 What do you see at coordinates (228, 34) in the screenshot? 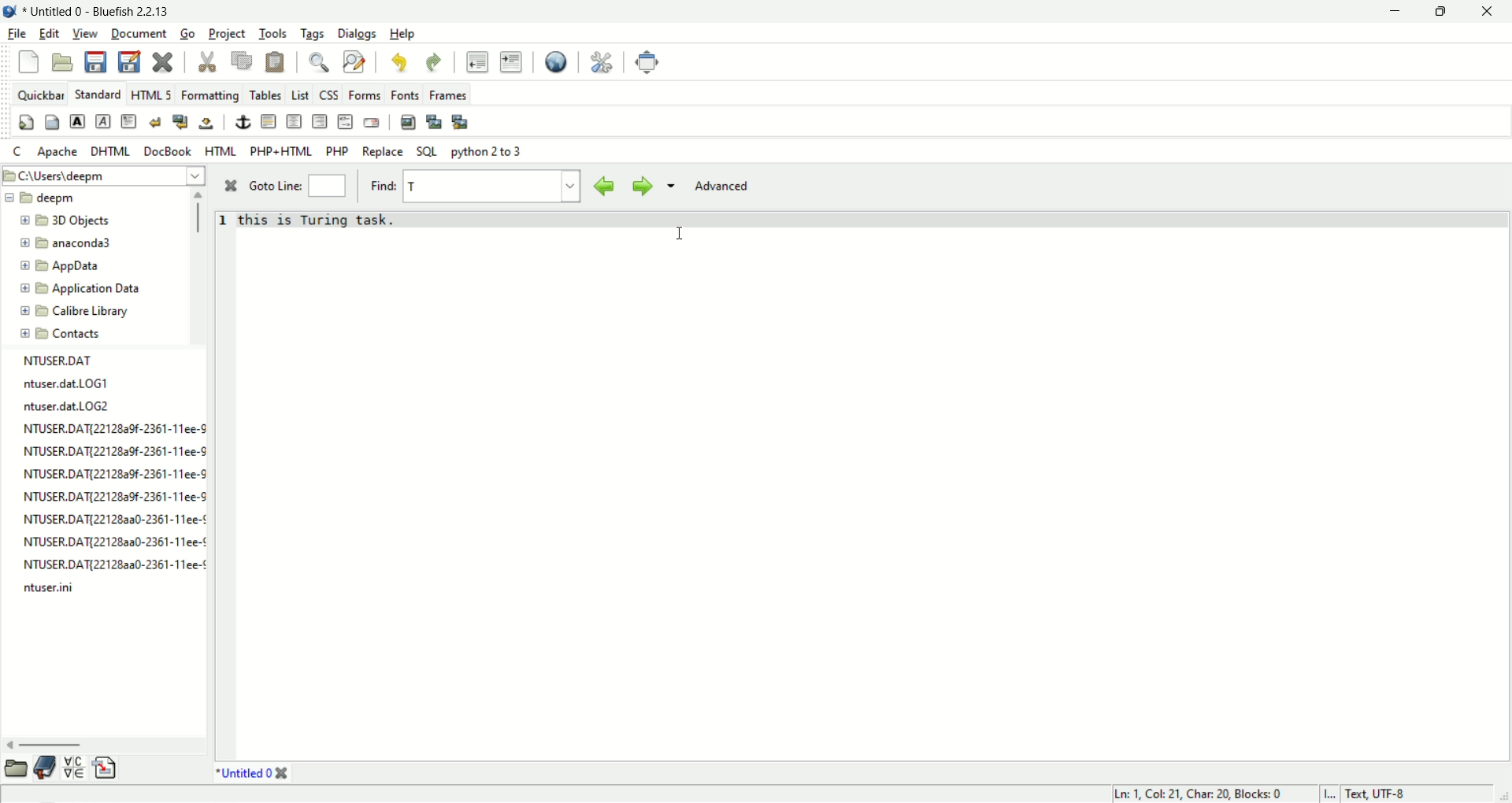
I see `project` at bounding box center [228, 34].